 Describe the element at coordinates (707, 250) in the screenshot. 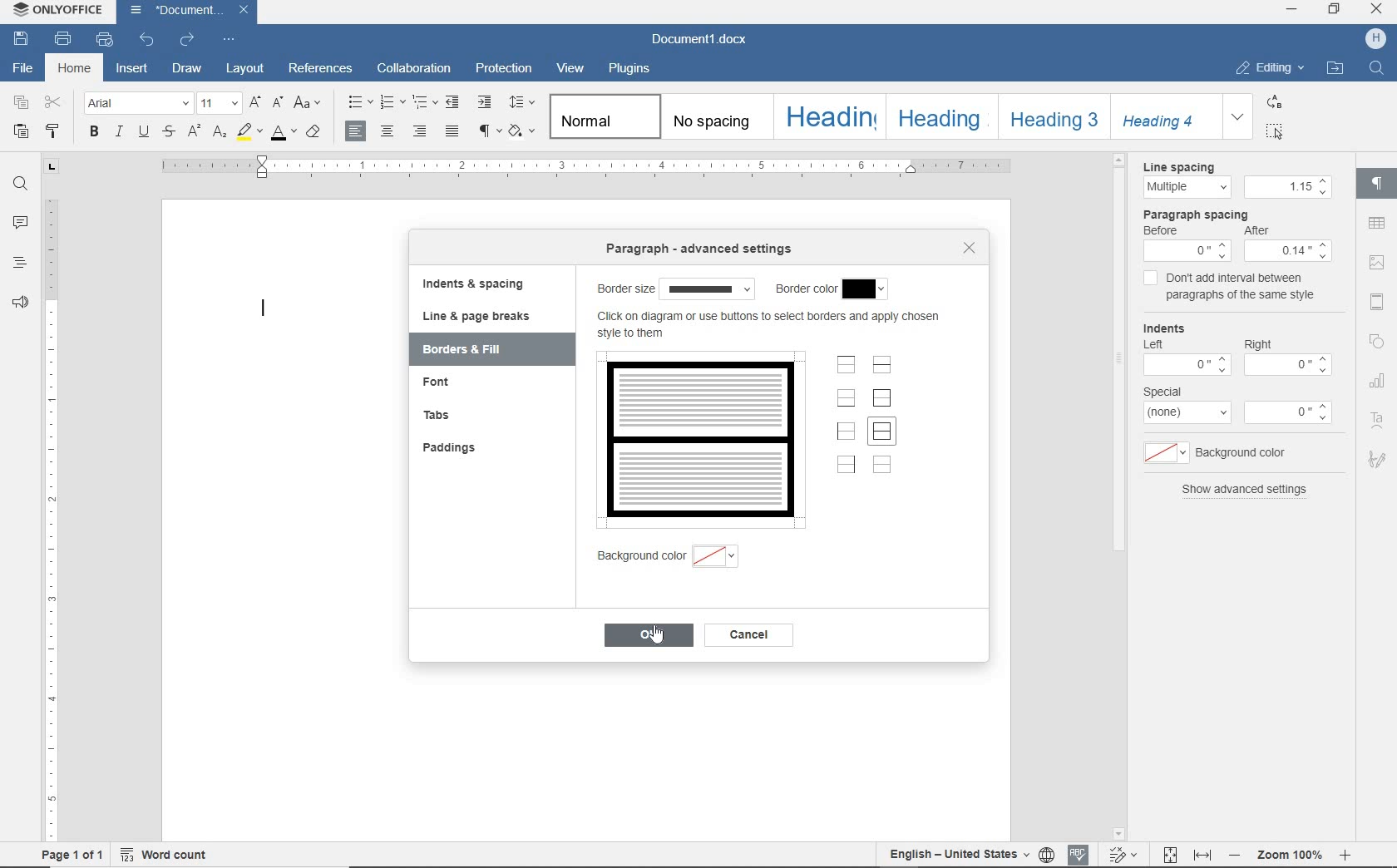

I see `paragraph- advanced settings` at that location.